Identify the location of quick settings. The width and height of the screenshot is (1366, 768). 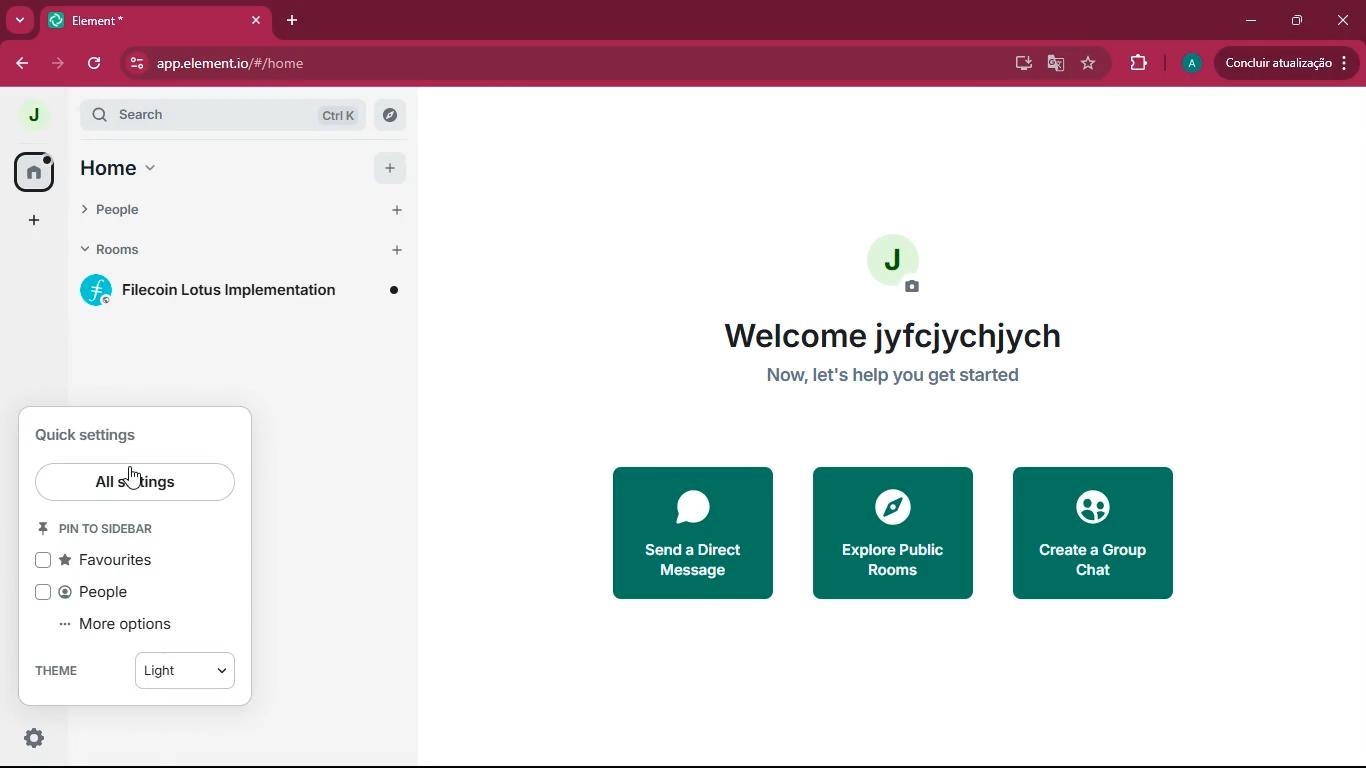
(106, 738).